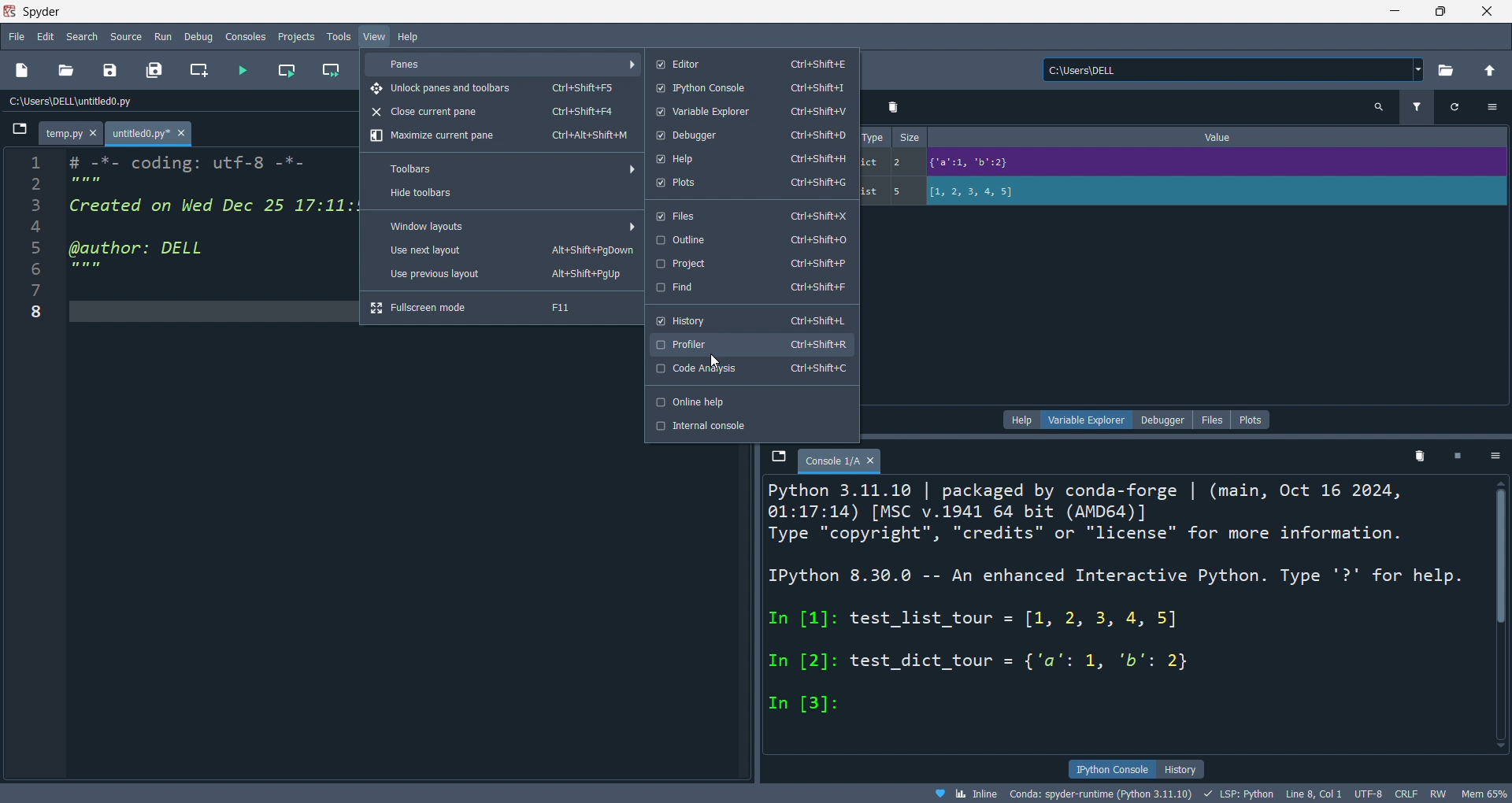 The height and width of the screenshot is (803, 1512). I want to click on debugger, so click(1160, 420).